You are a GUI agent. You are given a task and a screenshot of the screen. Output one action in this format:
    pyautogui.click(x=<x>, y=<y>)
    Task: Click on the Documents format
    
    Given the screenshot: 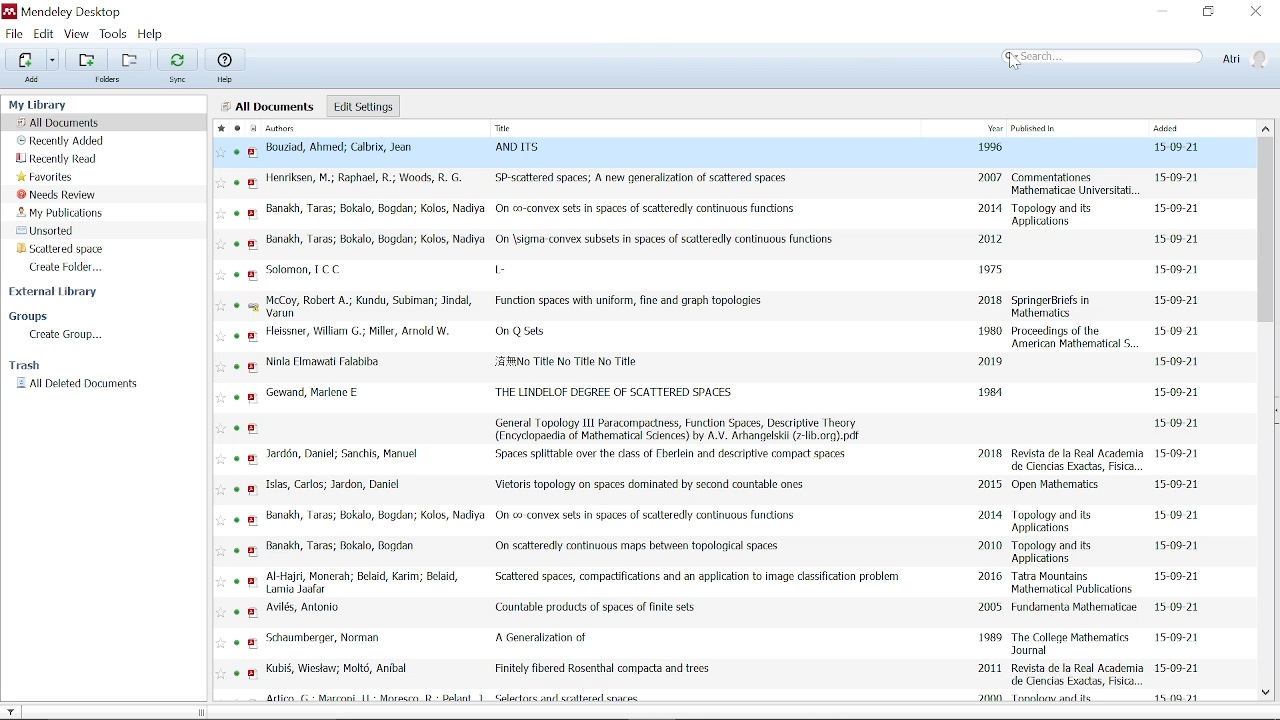 What is the action you would take?
    pyautogui.click(x=252, y=128)
    